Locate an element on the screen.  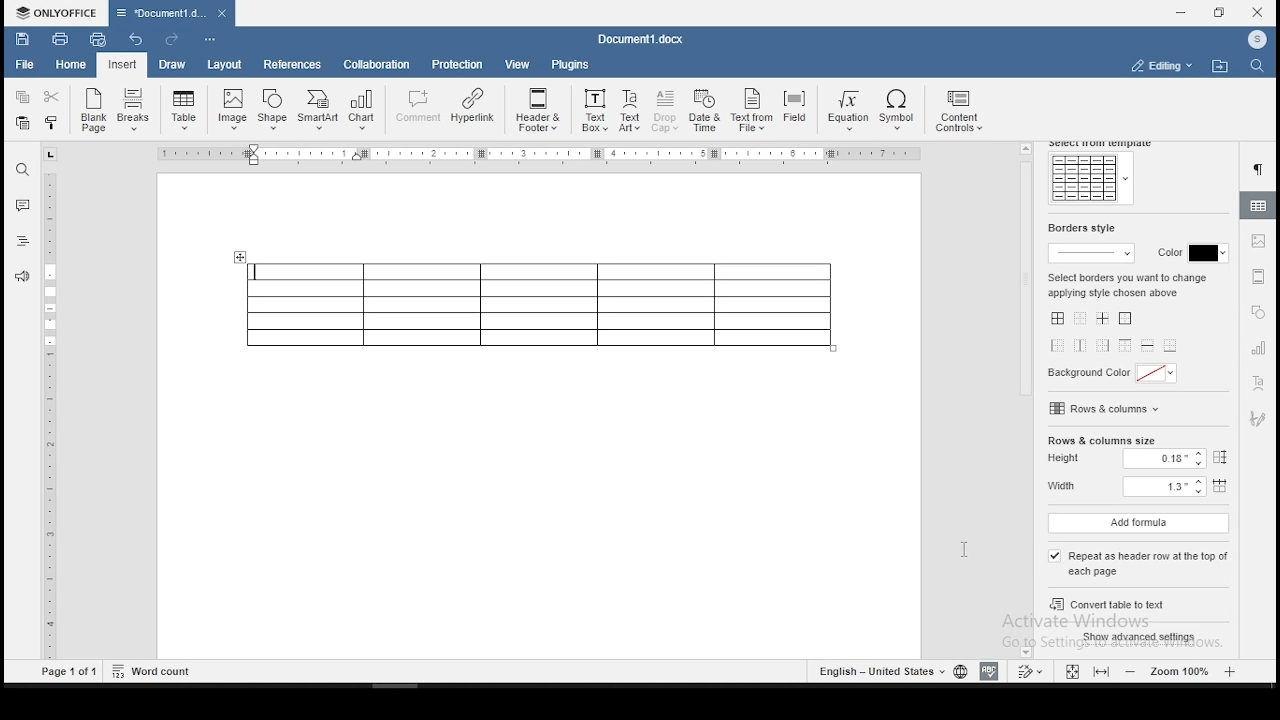
open file location is located at coordinates (1220, 66).